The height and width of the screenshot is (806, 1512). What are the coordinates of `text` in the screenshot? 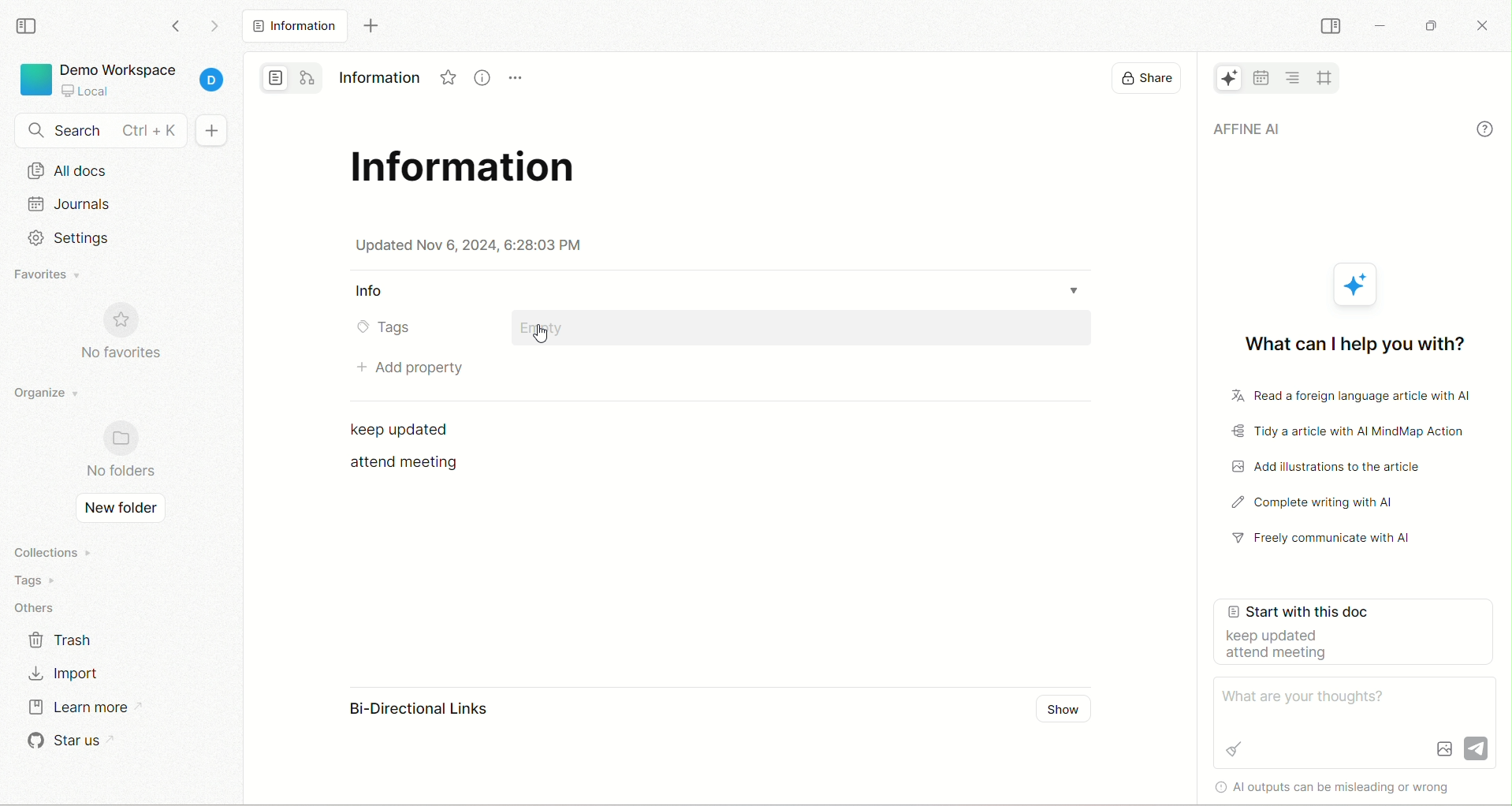 It's located at (402, 431).